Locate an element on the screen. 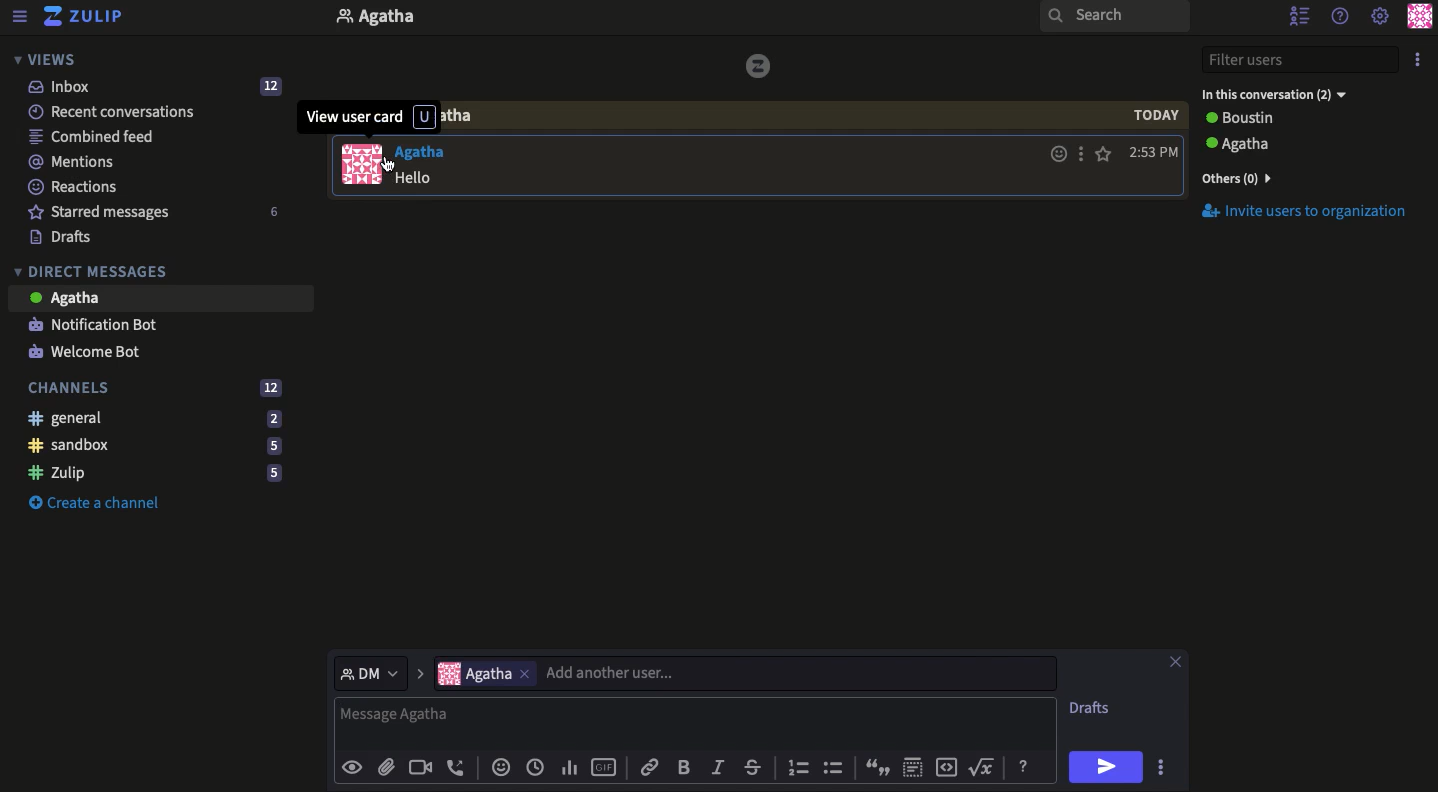 The height and width of the screenshot is (792, 1438). Quote is located at coordinates (880, 766).